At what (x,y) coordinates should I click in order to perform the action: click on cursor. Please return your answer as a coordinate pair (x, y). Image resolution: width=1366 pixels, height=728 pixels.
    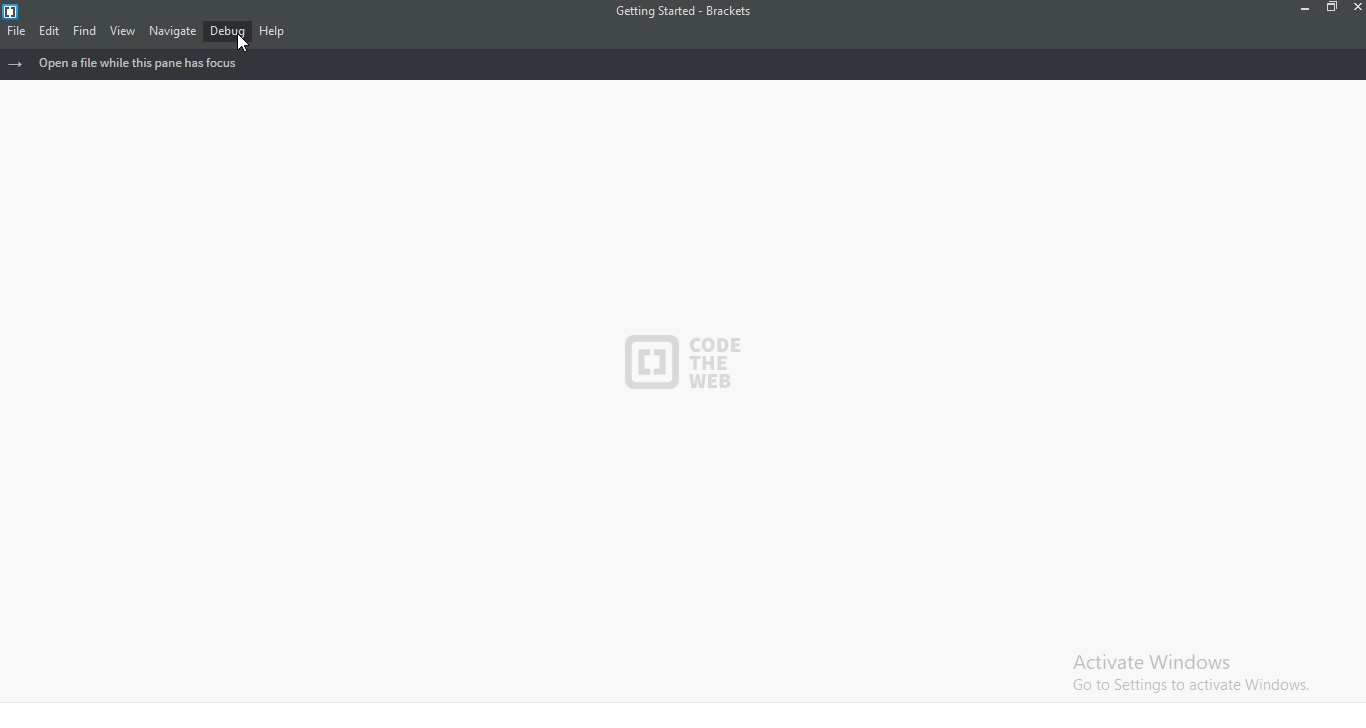
    Looking at the image, I should click on (247, 43).